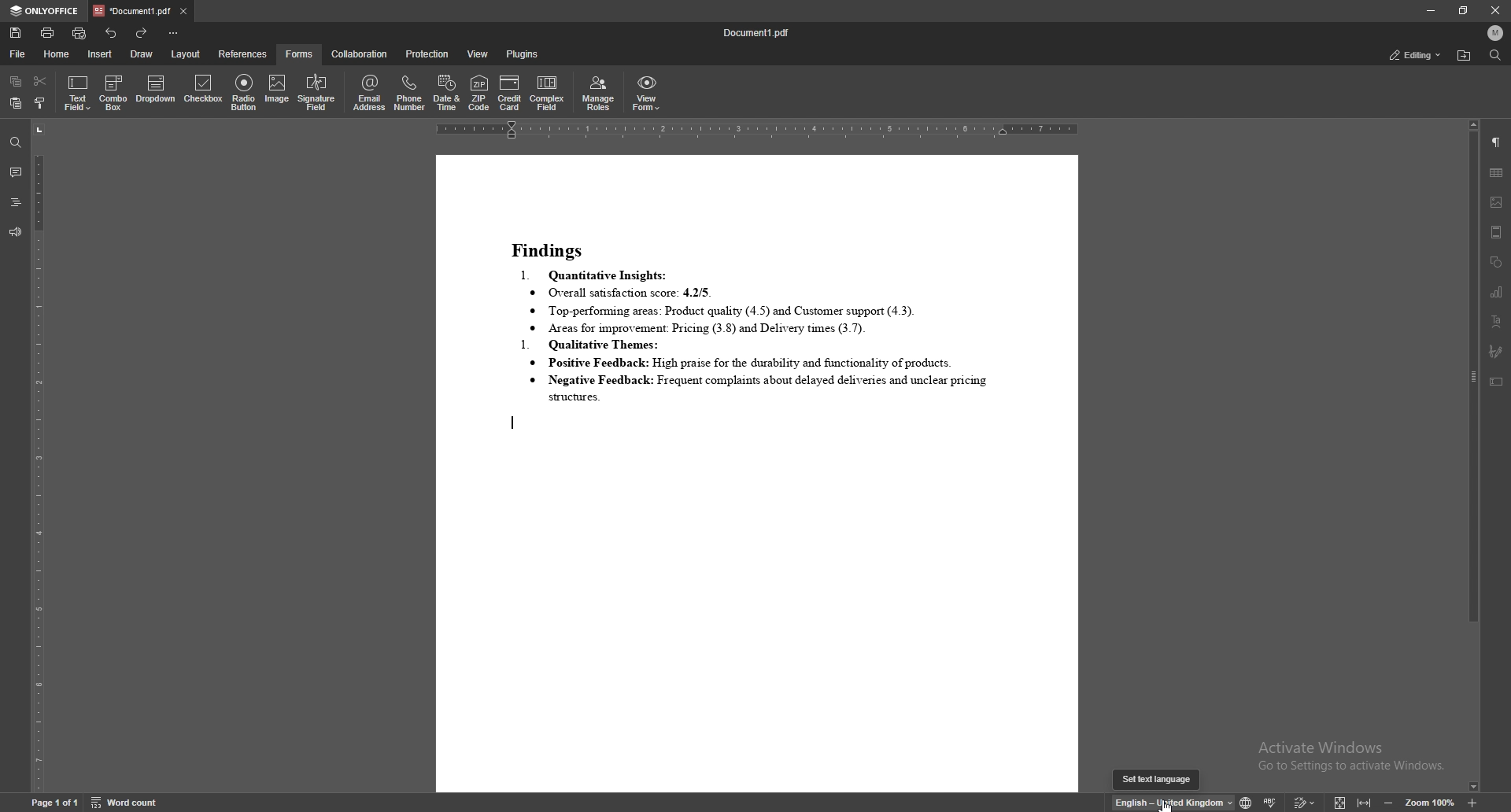  Describe the element at coordinates (549, 94) in the screenshot. I see `complex field` at that location.